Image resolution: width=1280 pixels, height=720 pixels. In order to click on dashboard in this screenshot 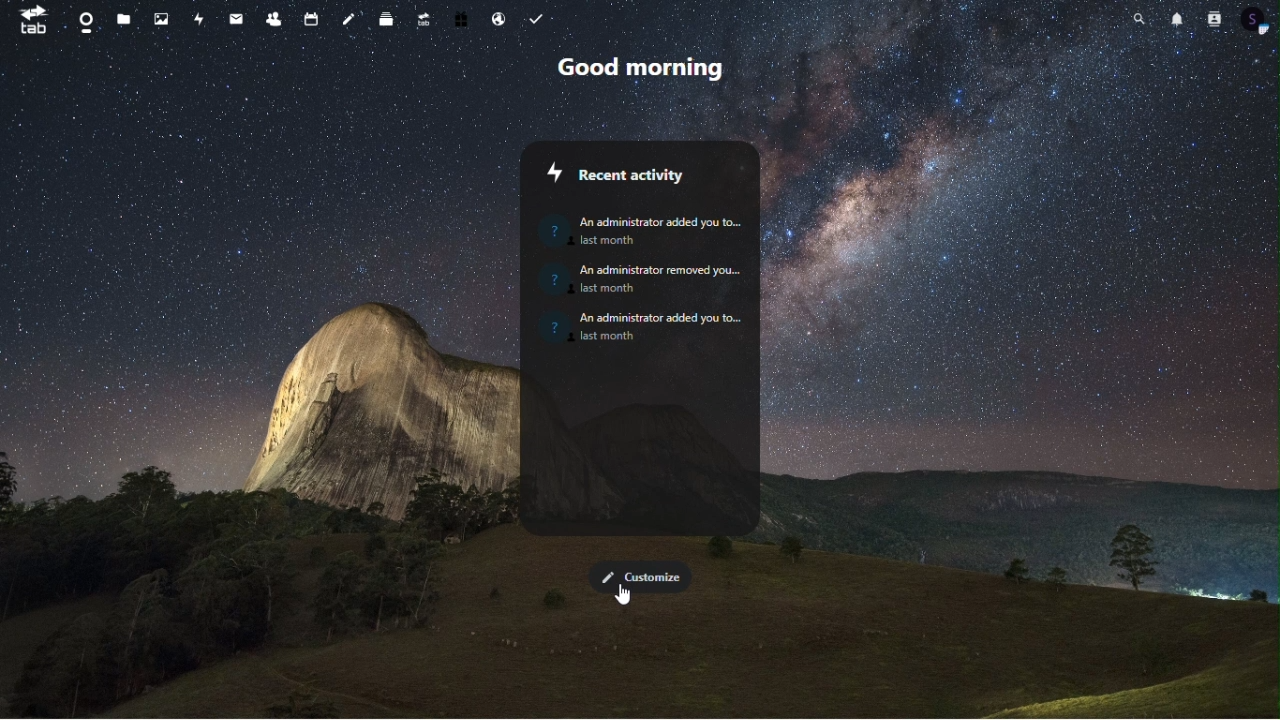, I will do `click(85, 21)`.